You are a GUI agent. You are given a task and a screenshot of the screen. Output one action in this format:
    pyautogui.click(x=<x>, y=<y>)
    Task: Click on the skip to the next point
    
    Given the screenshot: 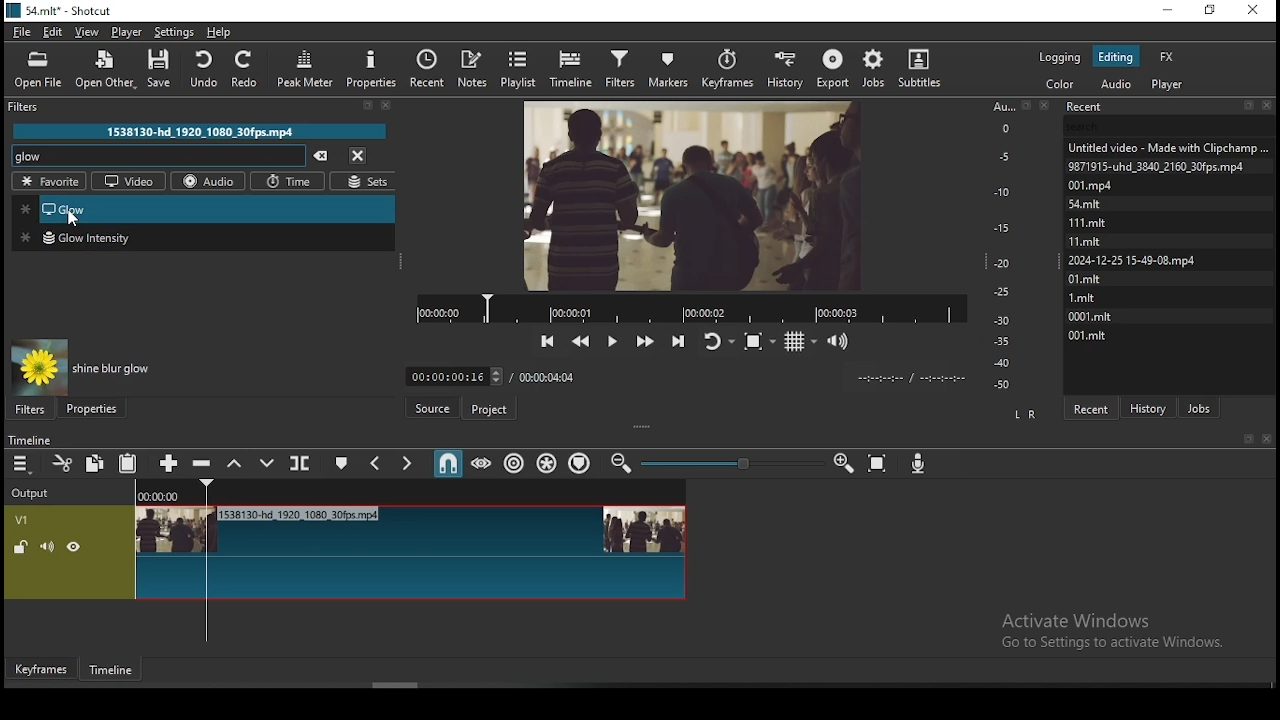 What is the action you would take?
    pyautogui.click(x=678, y=339)
    